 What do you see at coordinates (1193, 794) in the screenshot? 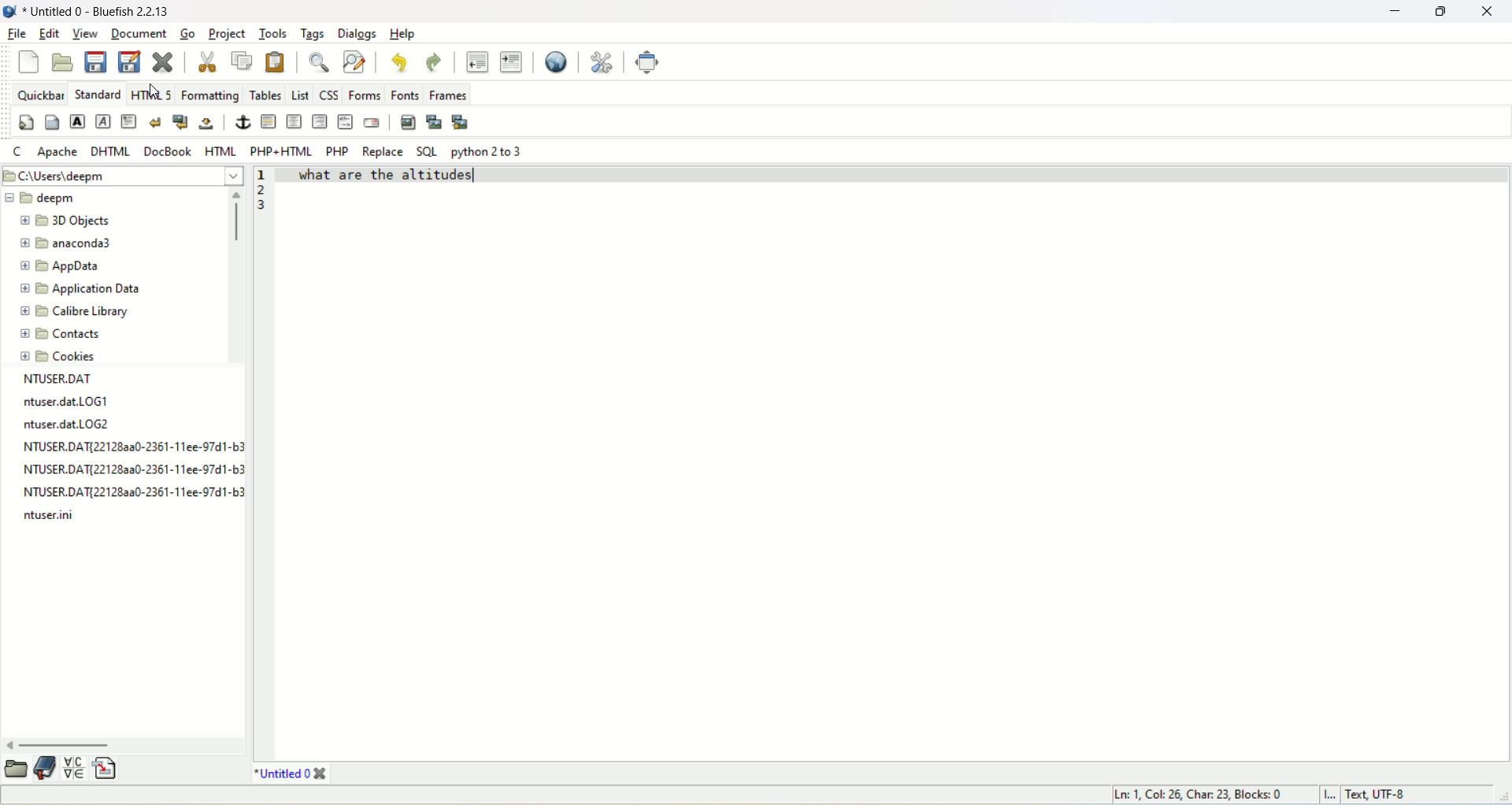
I see `ln, col, char, block` at bounding box center [1193, 794].